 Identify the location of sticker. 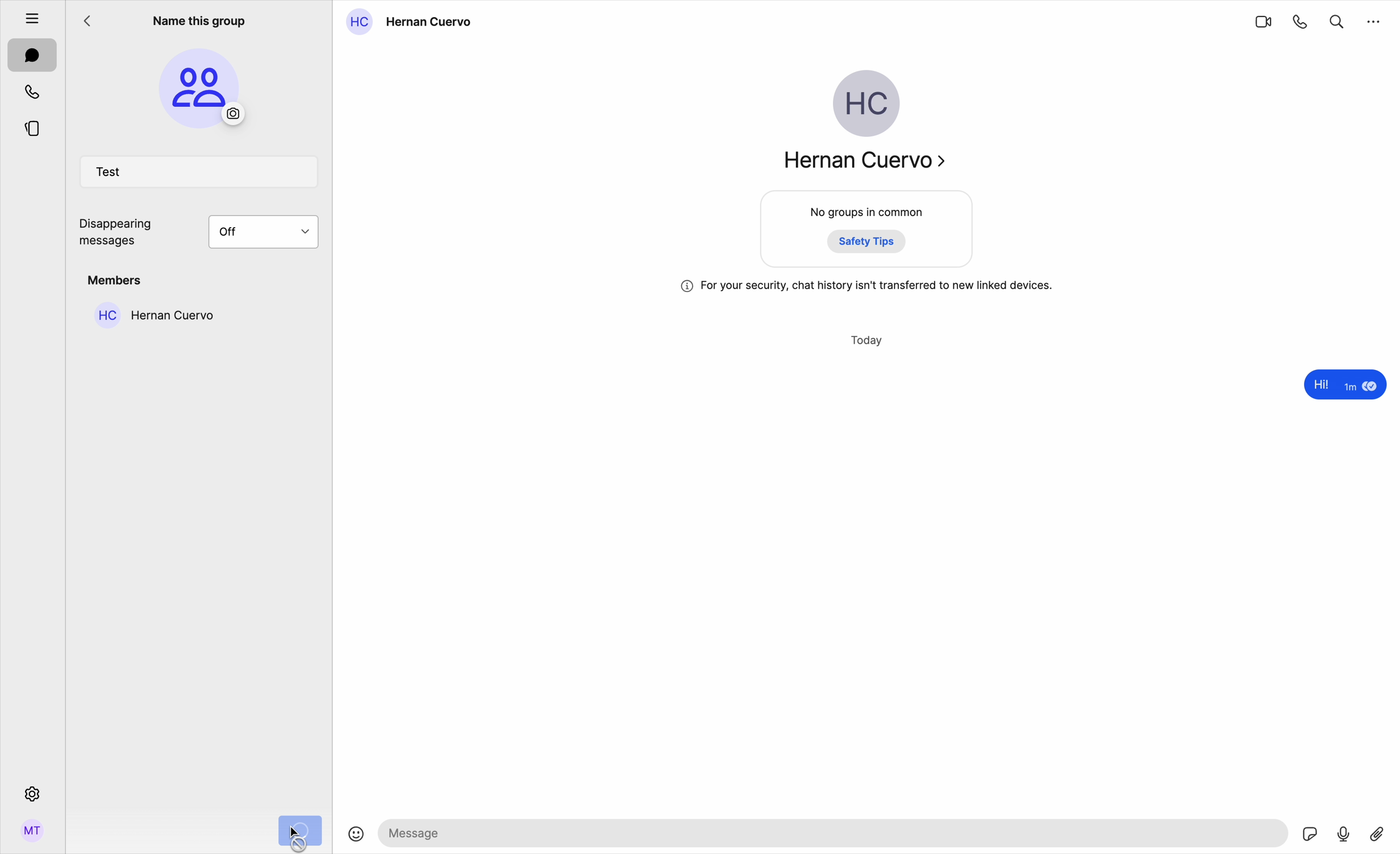
(1311, 835).